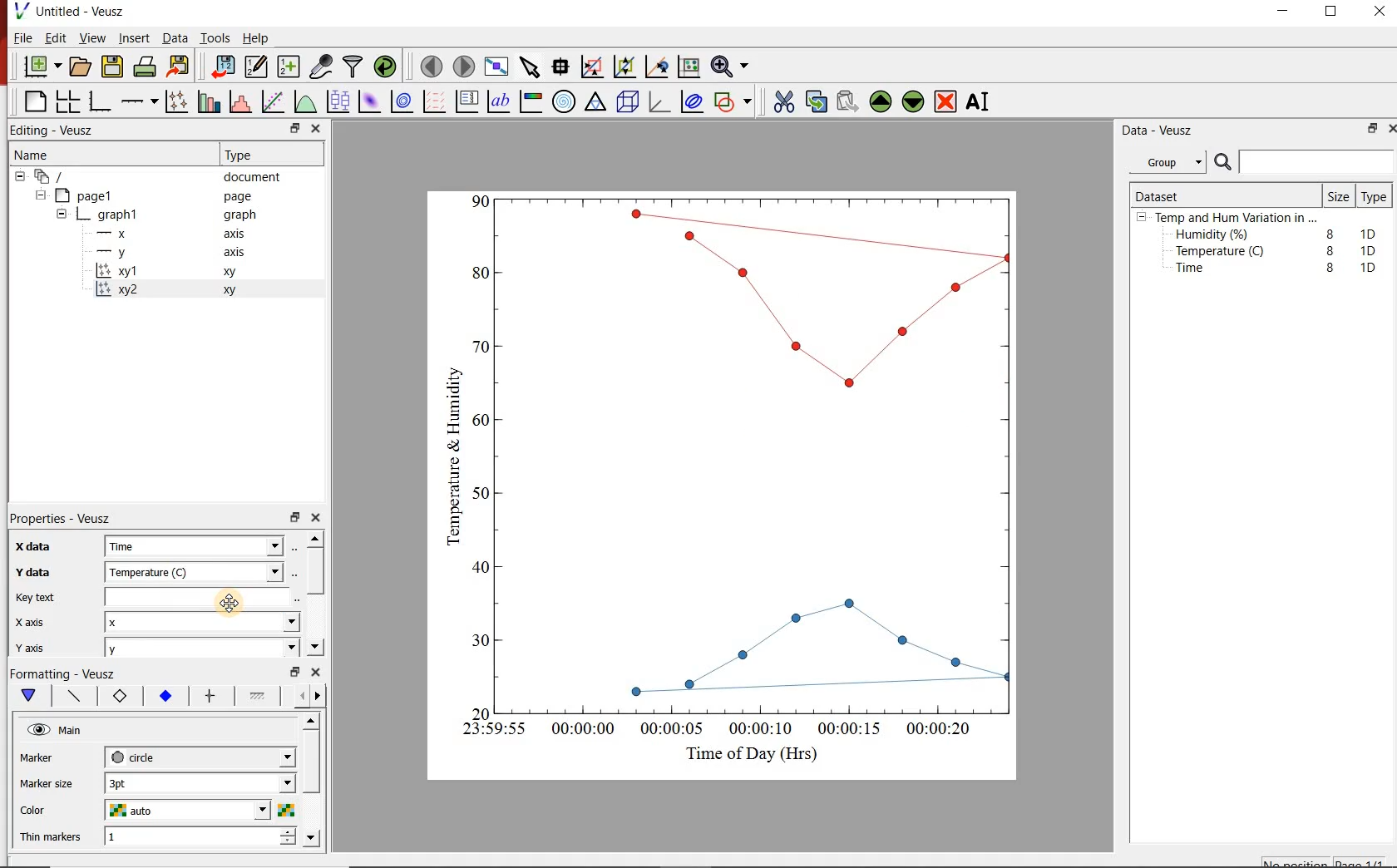 This screenshot has height=868, width=1397. What do you see at coordinates (406, 102) in the screenshot?
I see `plot a 2d dataset as contours` at bounding box center [406, 102].